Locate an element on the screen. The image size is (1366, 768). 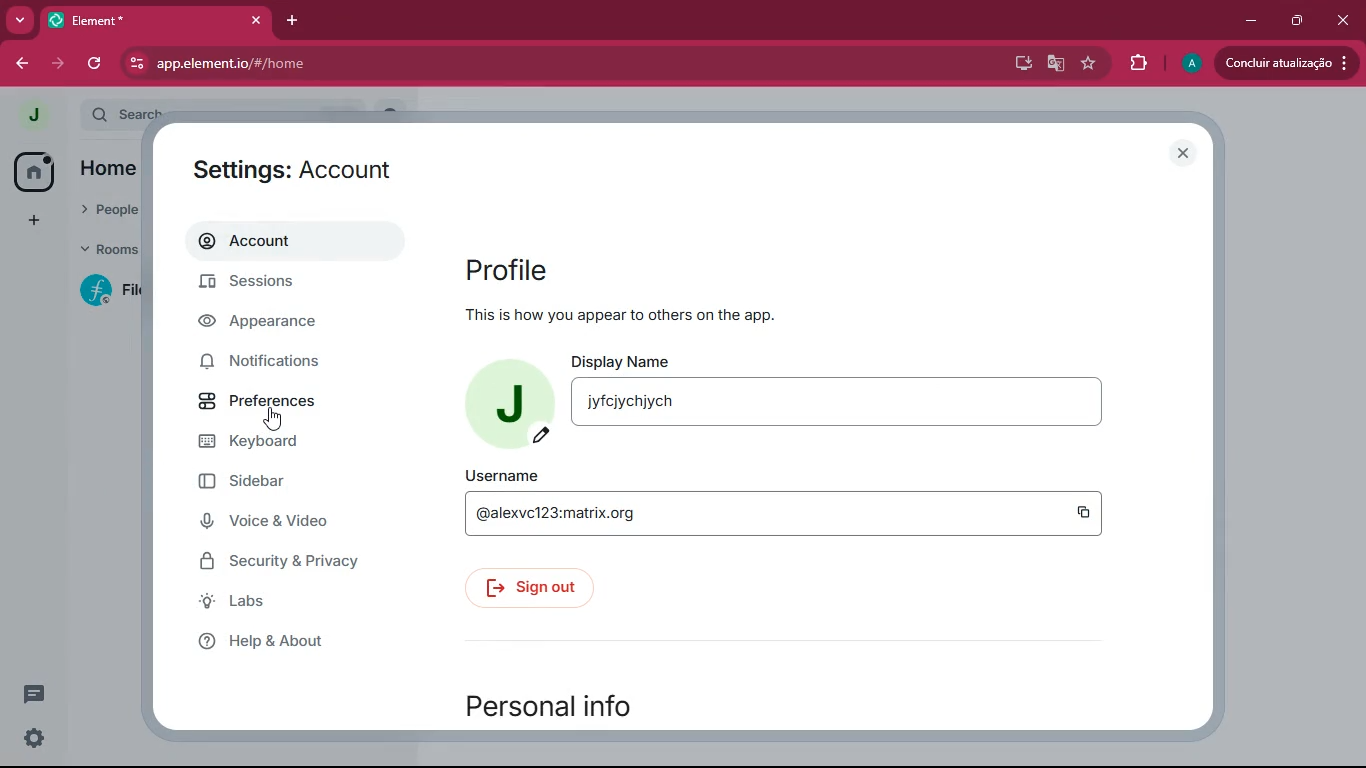
minimize is located at coordinates (1253, 22).